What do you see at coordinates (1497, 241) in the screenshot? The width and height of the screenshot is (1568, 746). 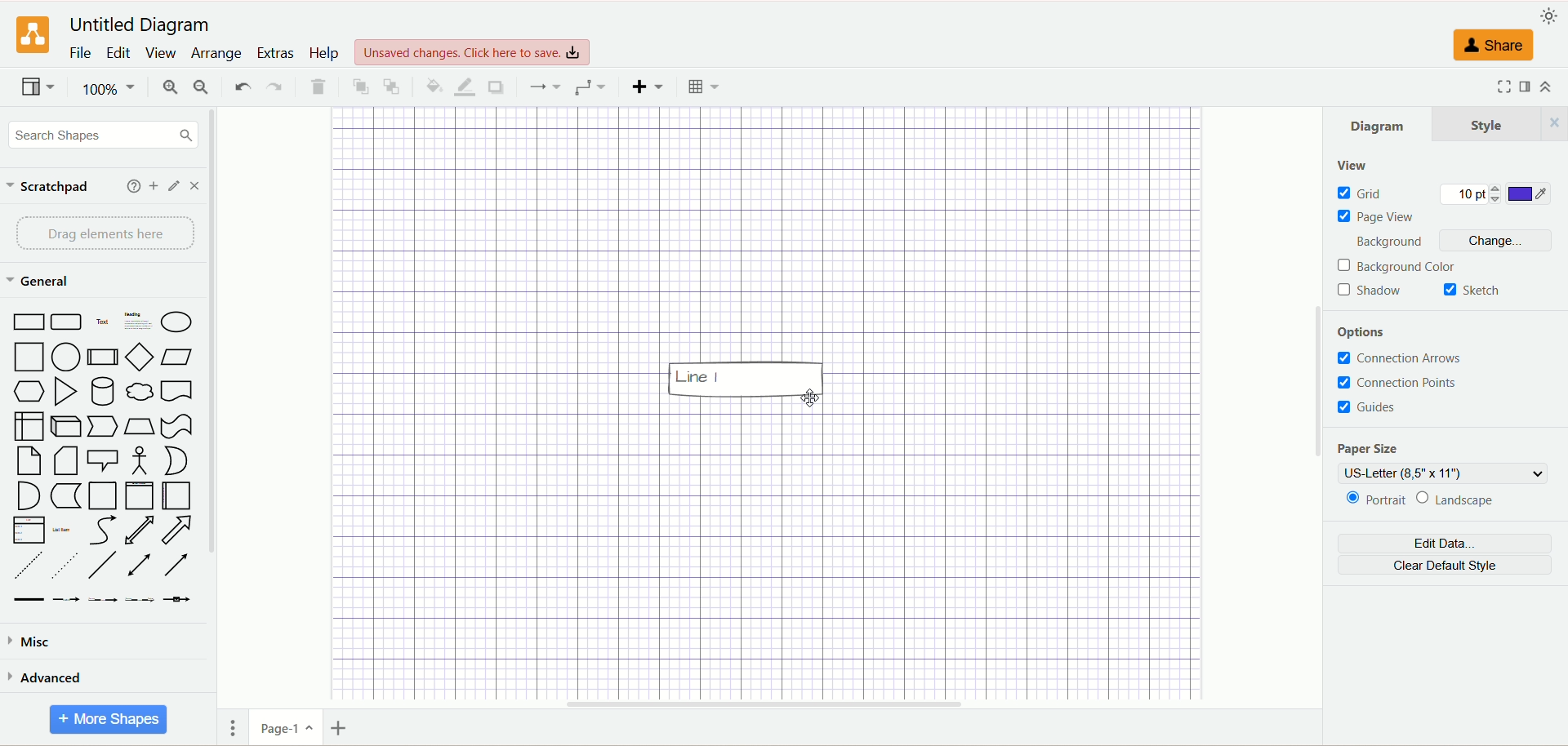 I see `change` at bounding box center [1497, 241].